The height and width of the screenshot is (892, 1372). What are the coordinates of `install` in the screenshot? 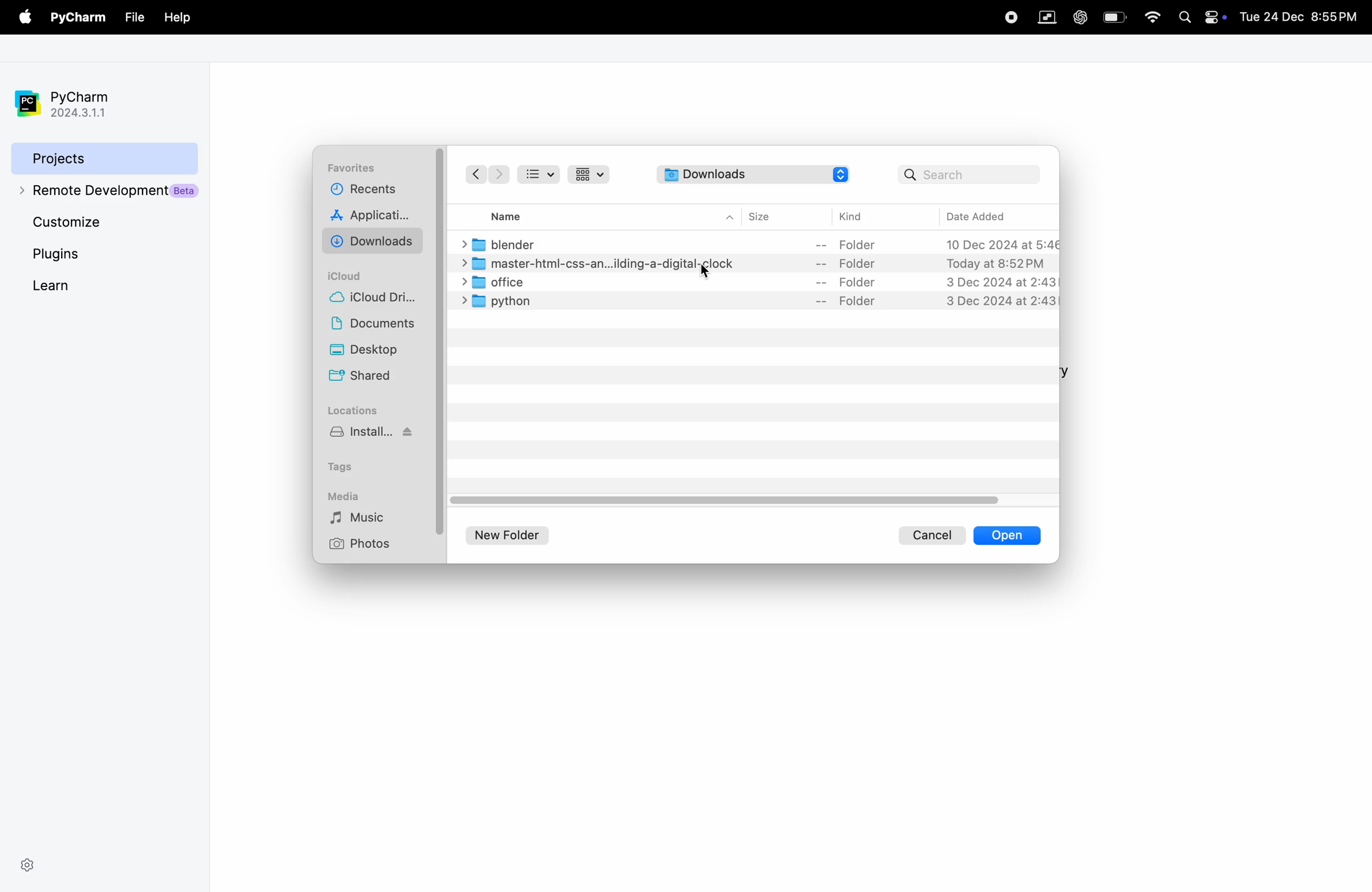 It's located at (376, 437).